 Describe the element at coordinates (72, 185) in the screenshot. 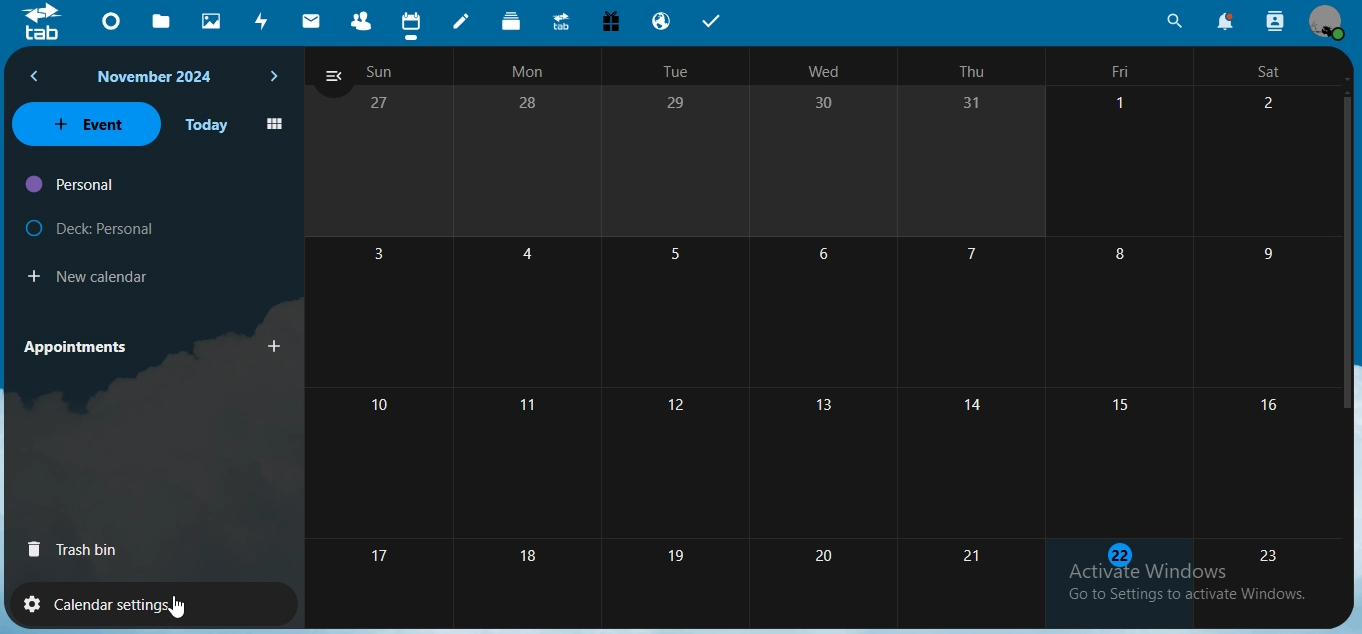

I see `personal` at that location.